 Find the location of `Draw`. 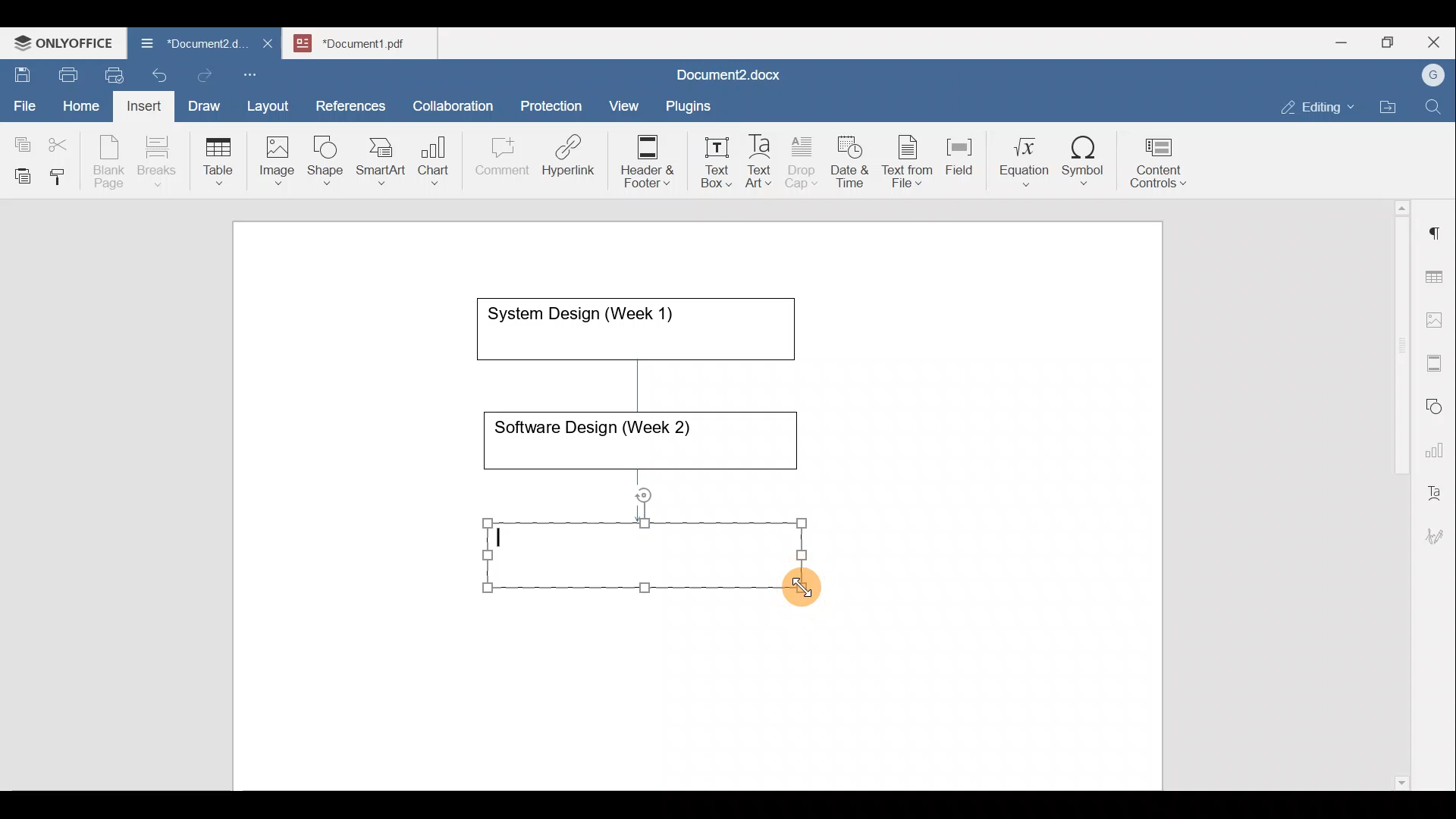

Draw is located at coordinates (202, 102).